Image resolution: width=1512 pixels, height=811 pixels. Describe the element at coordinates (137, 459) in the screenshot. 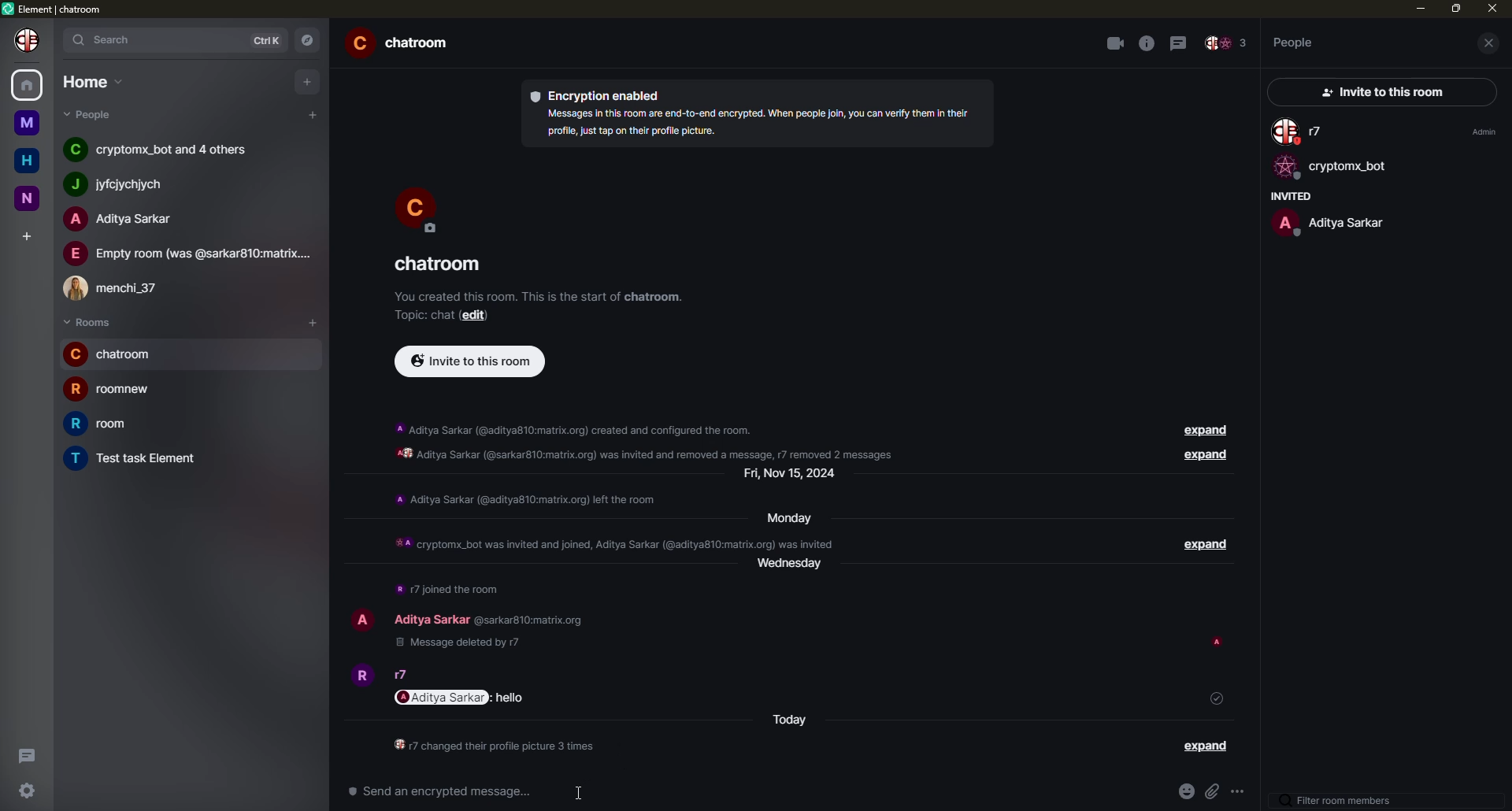

I see `room` at that location.